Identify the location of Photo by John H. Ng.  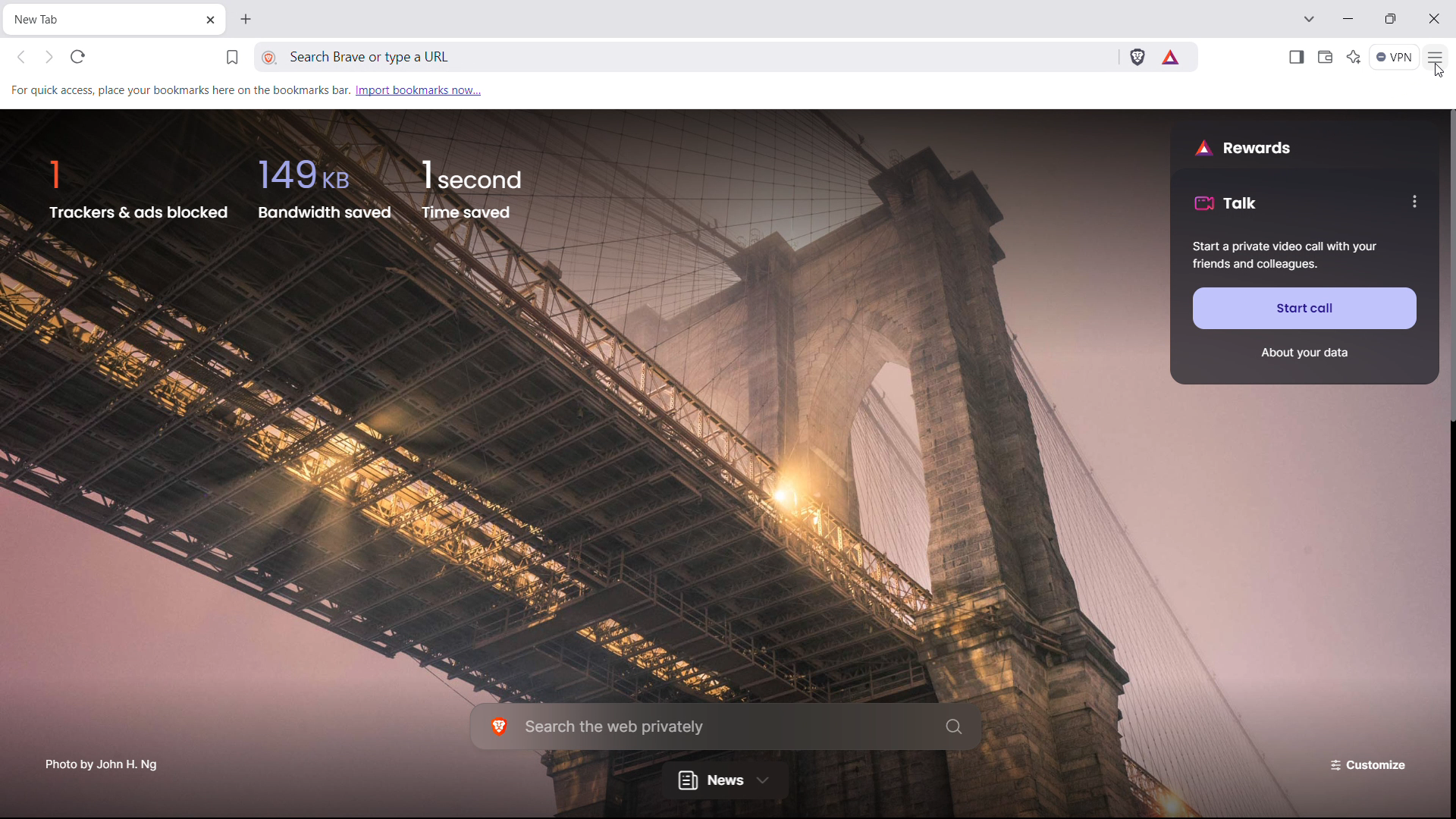
(100, 761).